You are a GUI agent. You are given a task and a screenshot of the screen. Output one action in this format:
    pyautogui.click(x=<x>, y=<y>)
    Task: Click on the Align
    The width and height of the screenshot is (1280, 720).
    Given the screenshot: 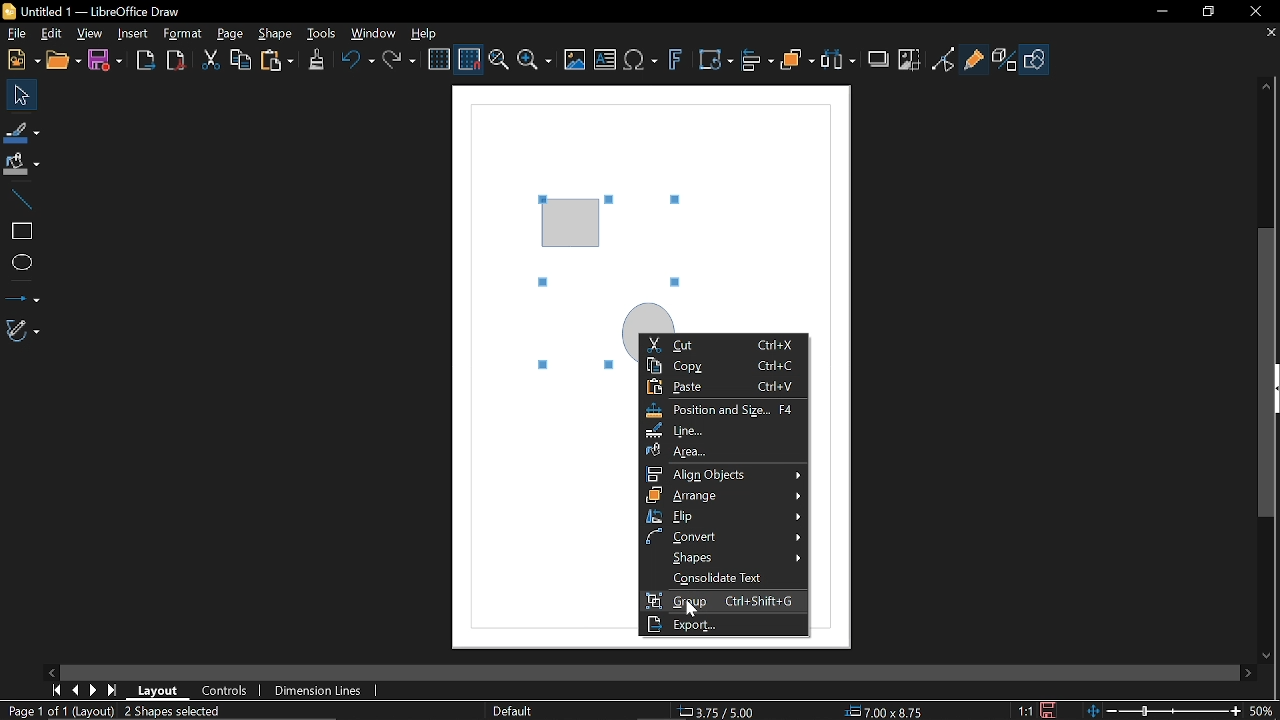 What is the action you would take?
    pyautogui.click(x=757, y=62)
    